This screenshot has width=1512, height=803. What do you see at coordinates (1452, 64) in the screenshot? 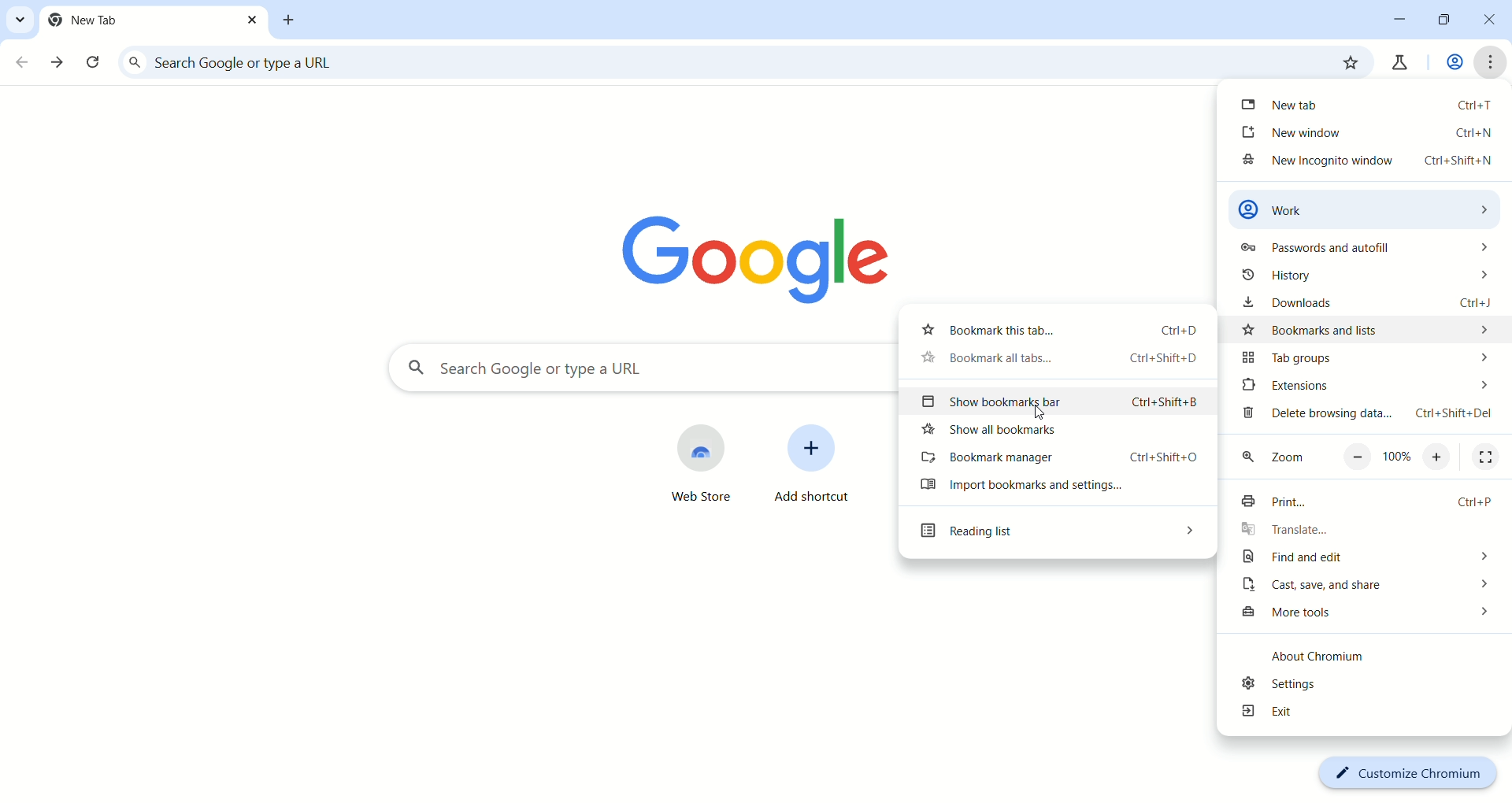
I see `work` at bounding box center [1452, 64].